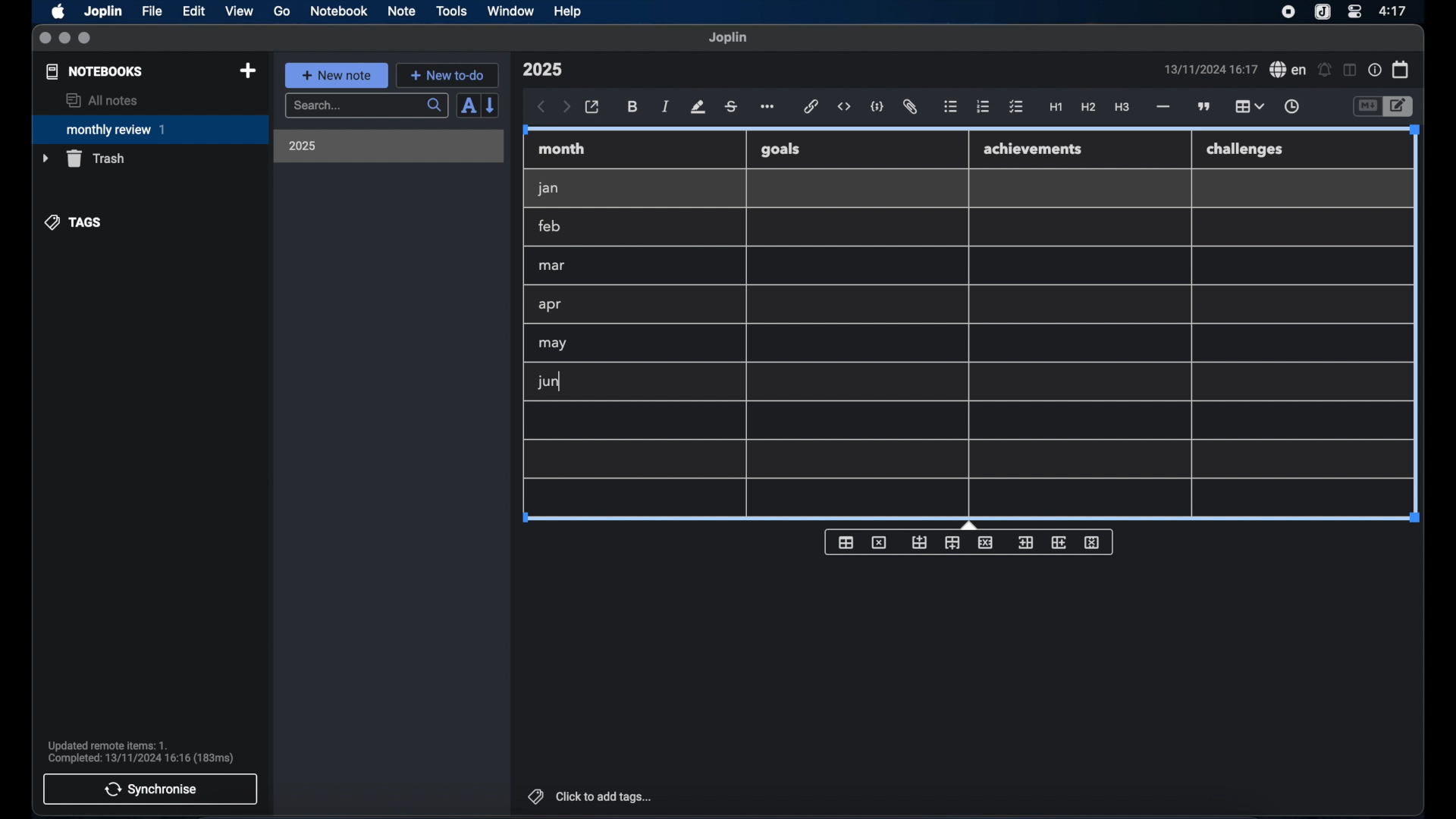 The image size is (1456, 819). I want to click on search bar, so click(366, 107).